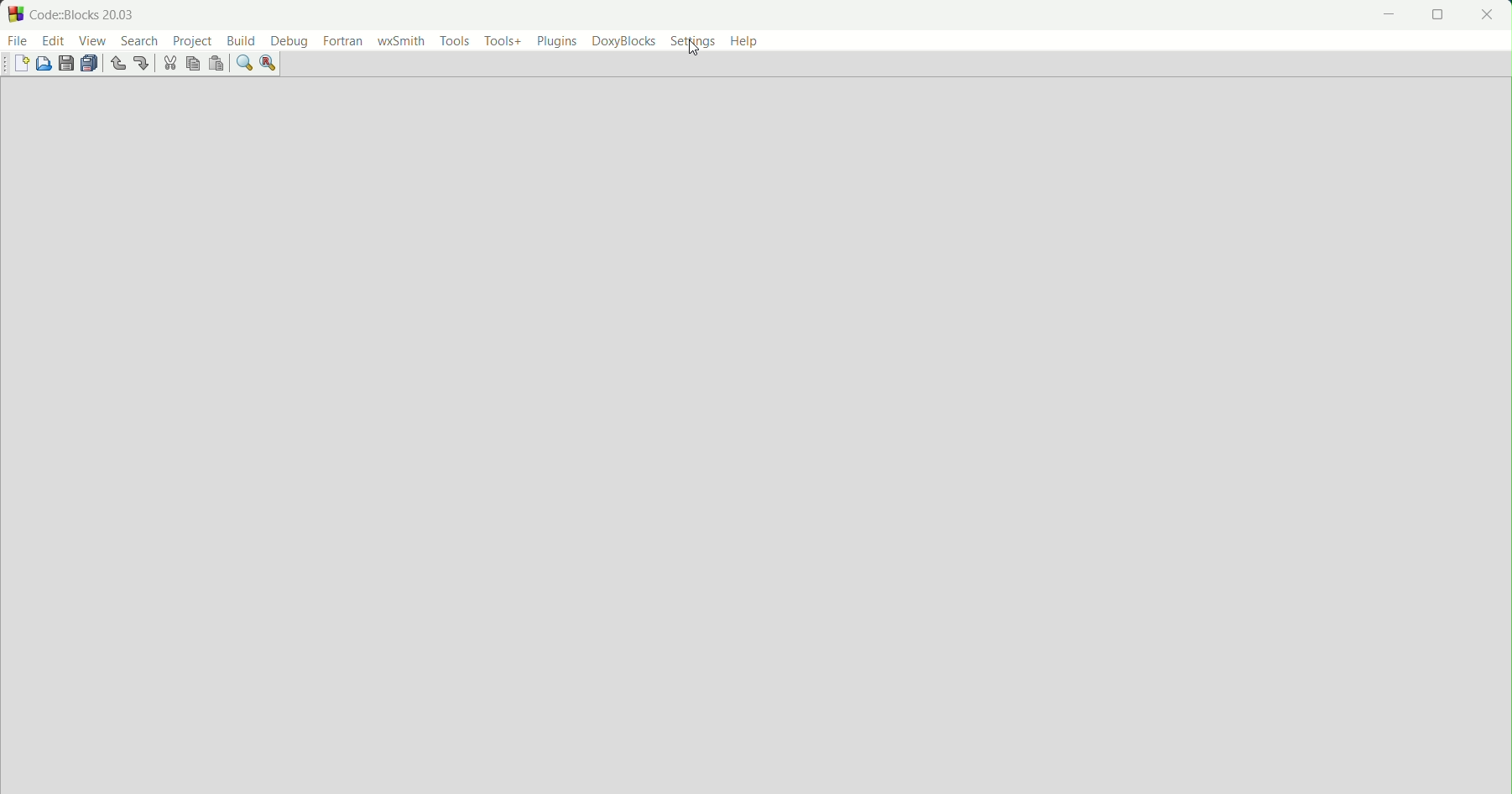  Describe the element at coordinates (290, 43) in the screenshot. I see `debug` at that location.